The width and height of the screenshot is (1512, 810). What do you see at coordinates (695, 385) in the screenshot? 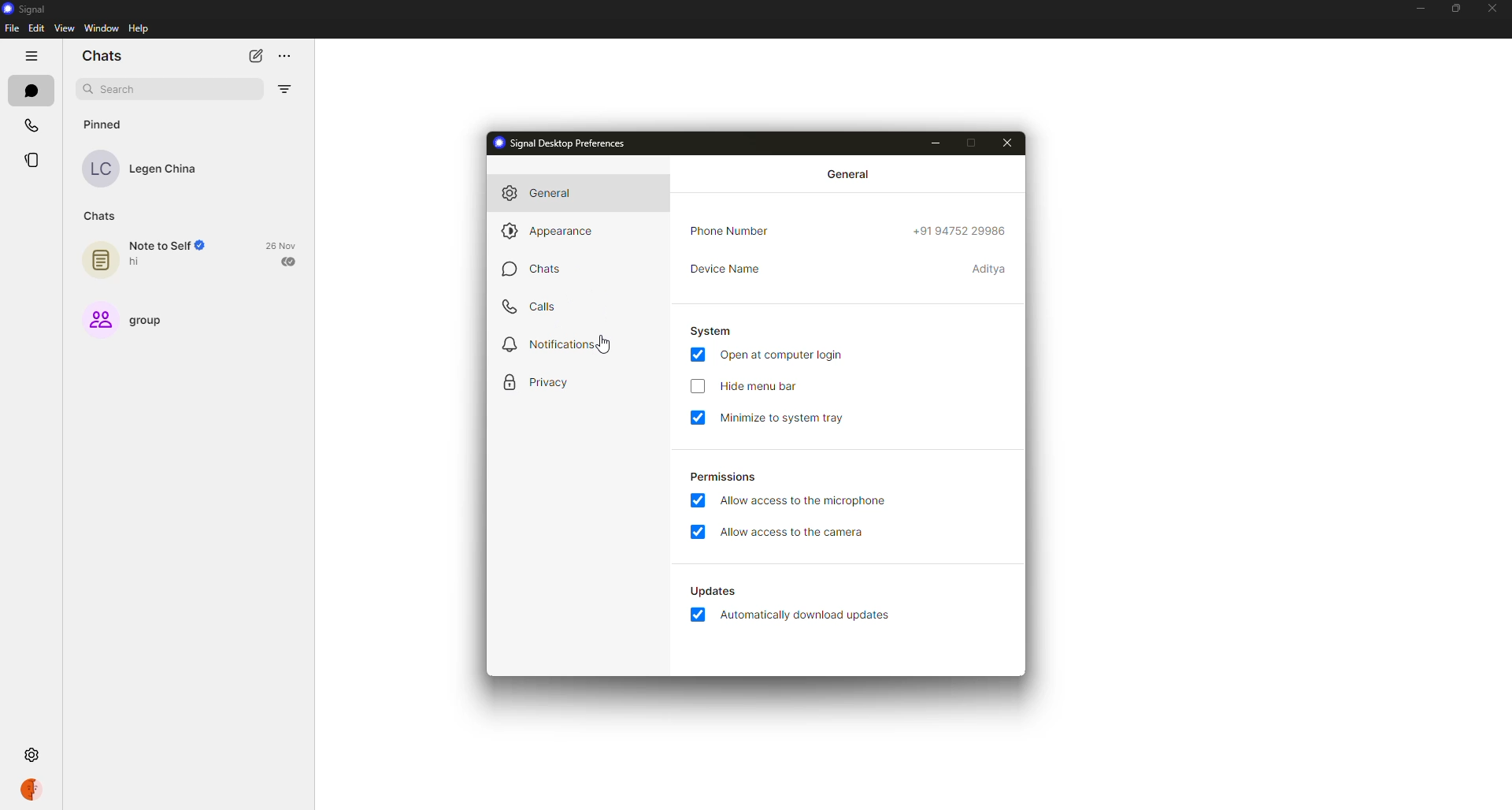
I see `click to enable` at bounding box center [695, 385].